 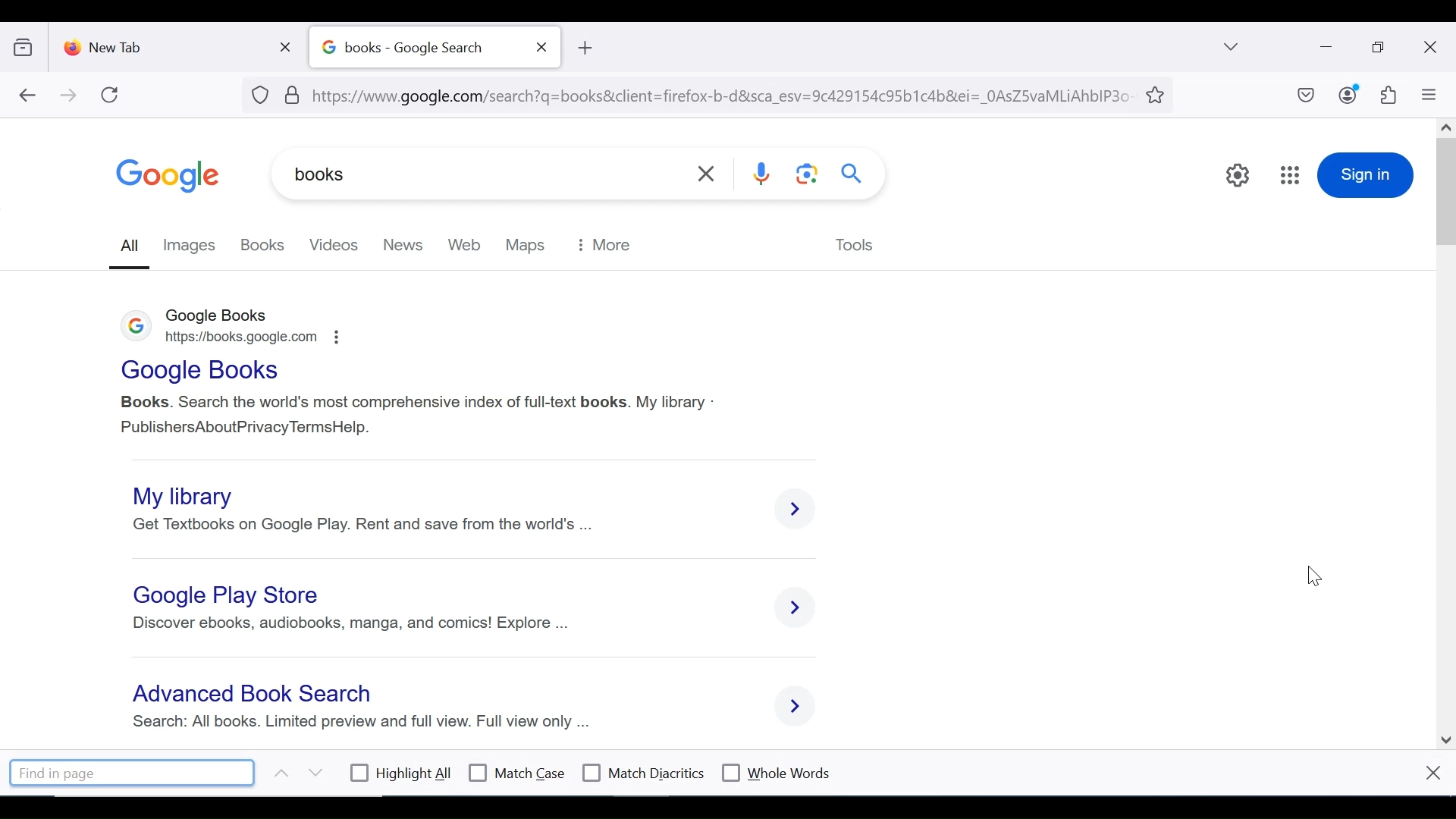 I want to click on books, so click(x=264, y=244).